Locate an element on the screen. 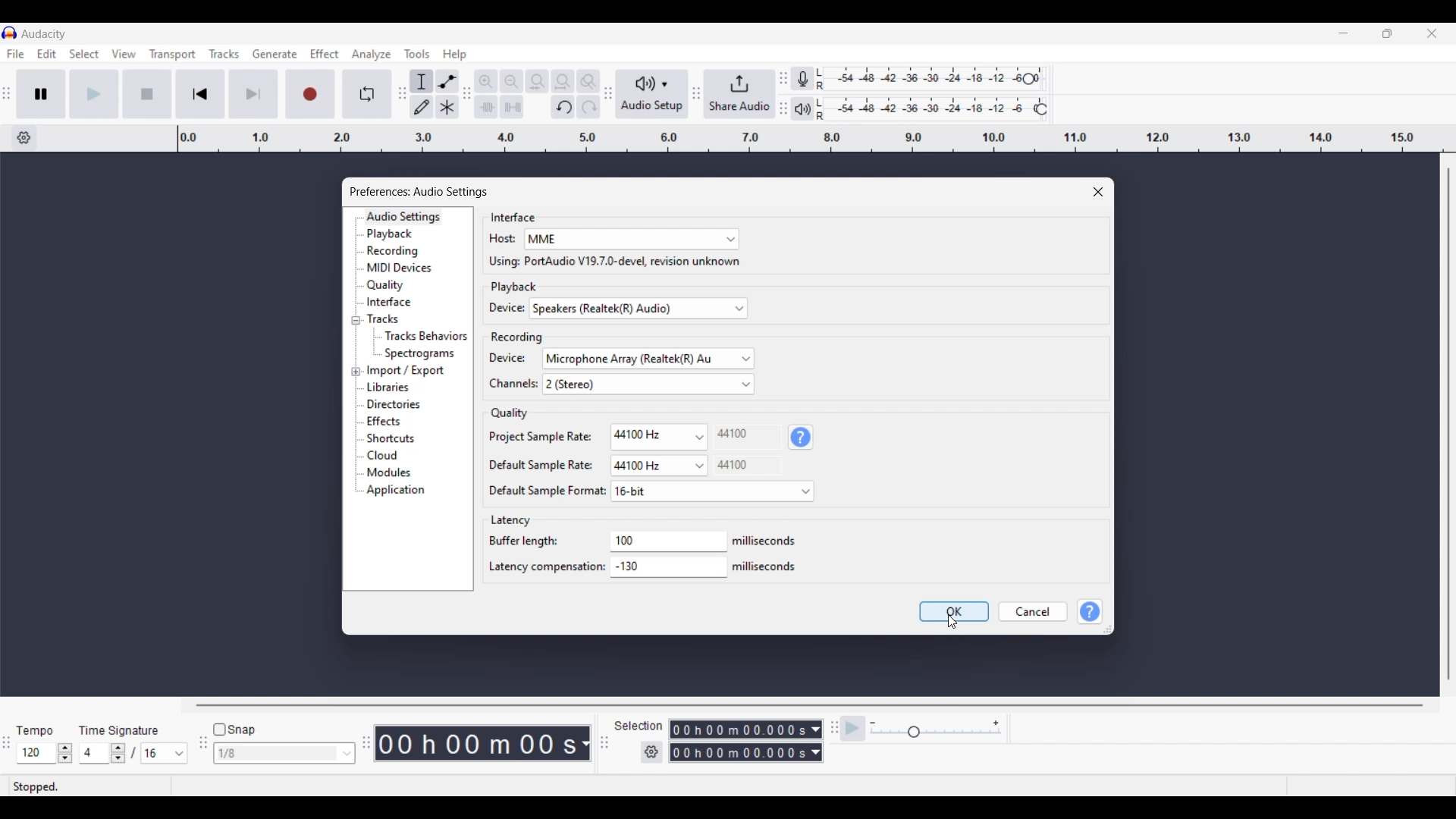 The width and height of the screenshot is (1456, 819). Edit menu is located at coordinates (47, 55).